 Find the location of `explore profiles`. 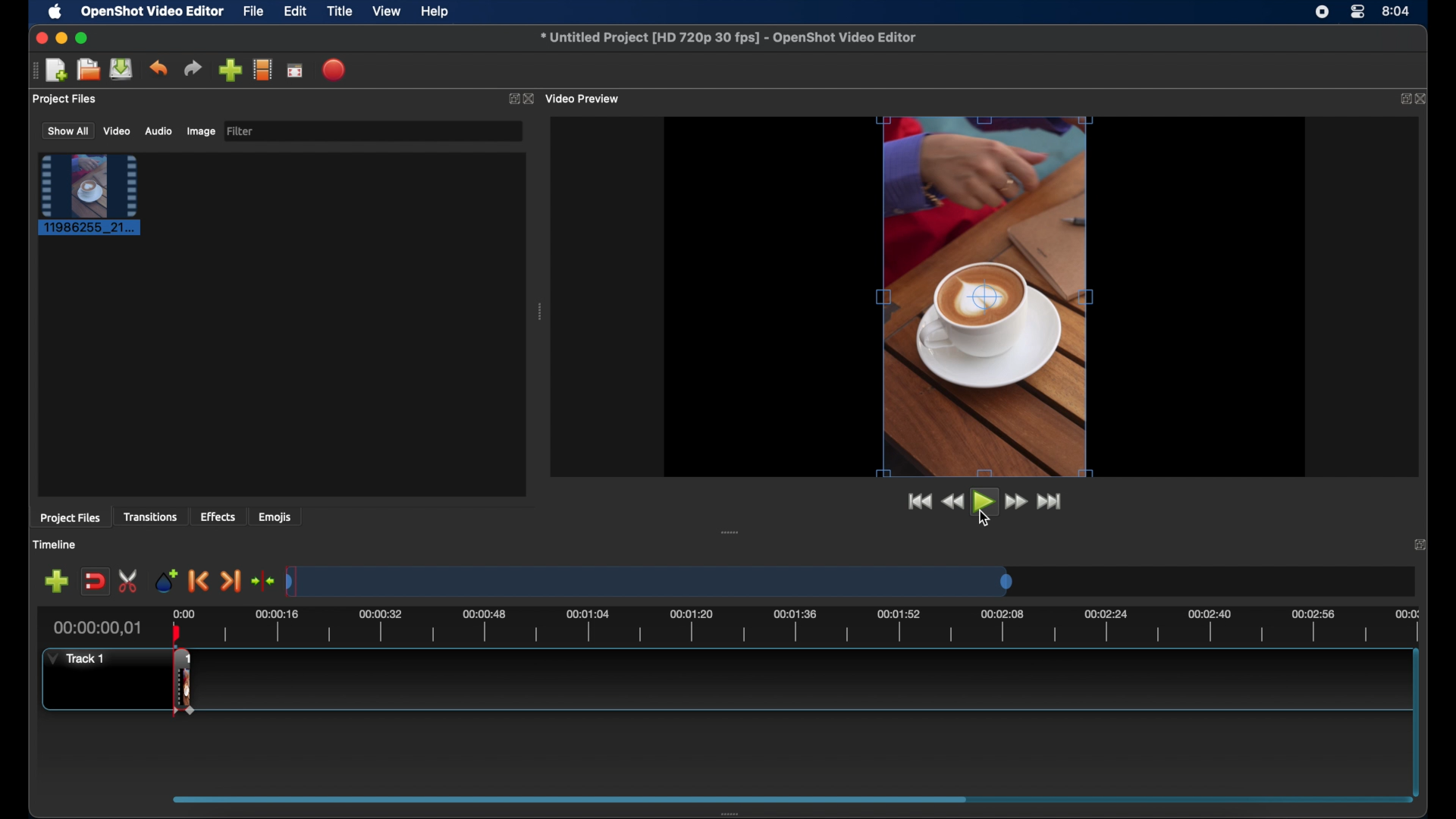

explore profiles is located at coordinates (262, 71).